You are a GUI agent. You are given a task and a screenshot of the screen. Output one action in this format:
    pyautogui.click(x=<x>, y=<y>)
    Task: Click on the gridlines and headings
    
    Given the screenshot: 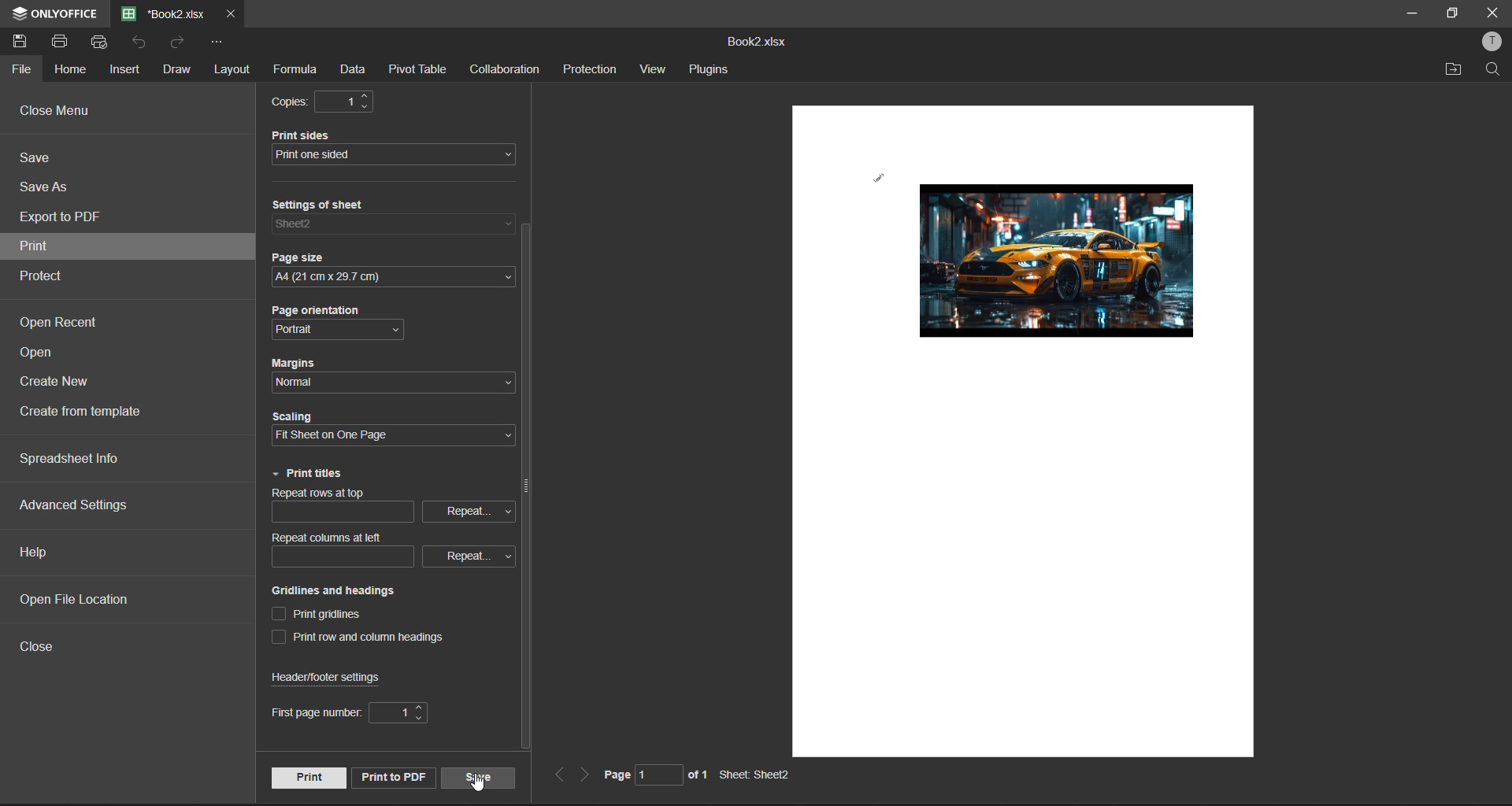 What is the action you would take?
    pyautogui.click(x=343, y=591)
    